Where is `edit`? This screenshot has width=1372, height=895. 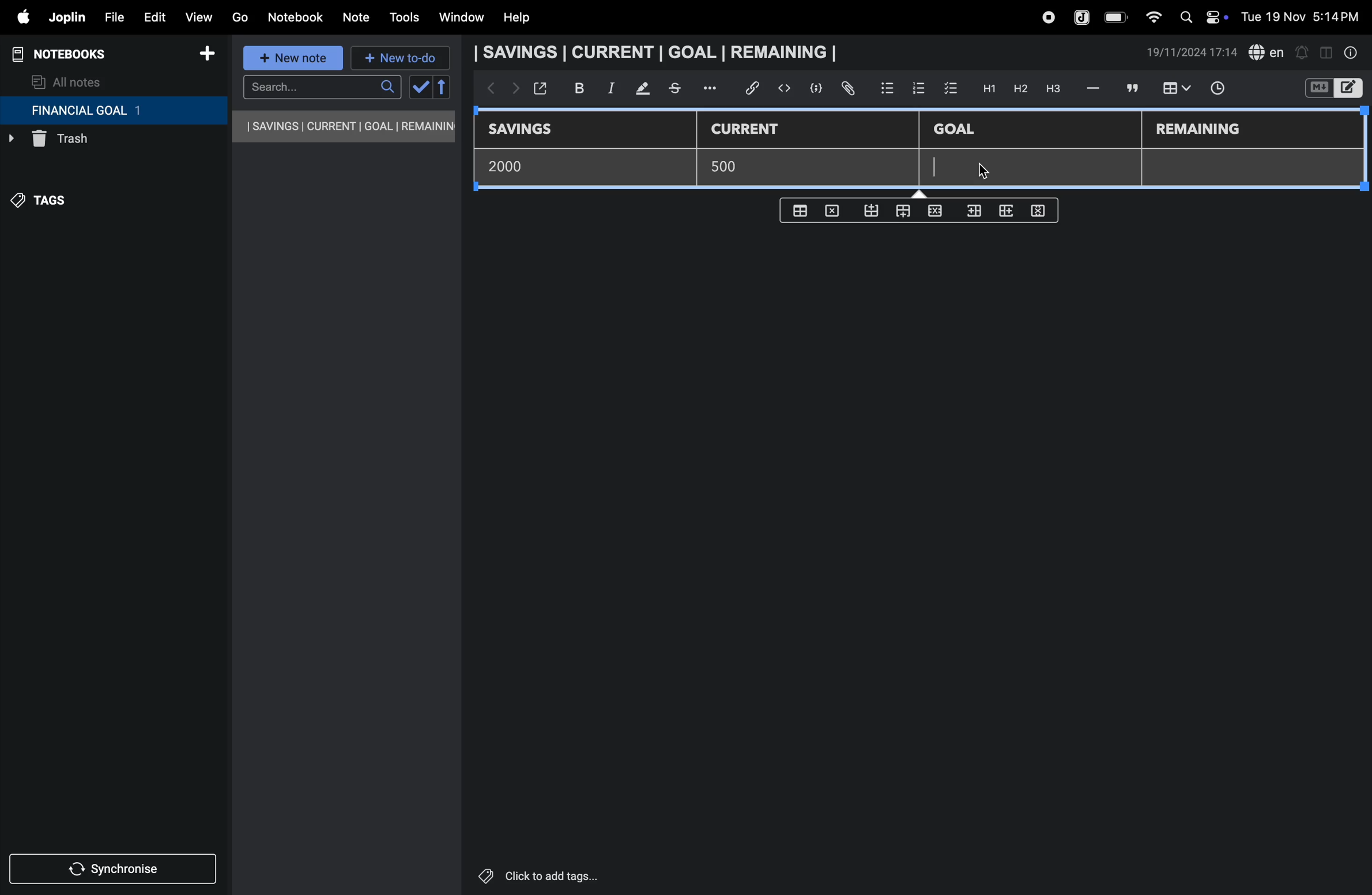
edit is located at coordinates (149, 14).